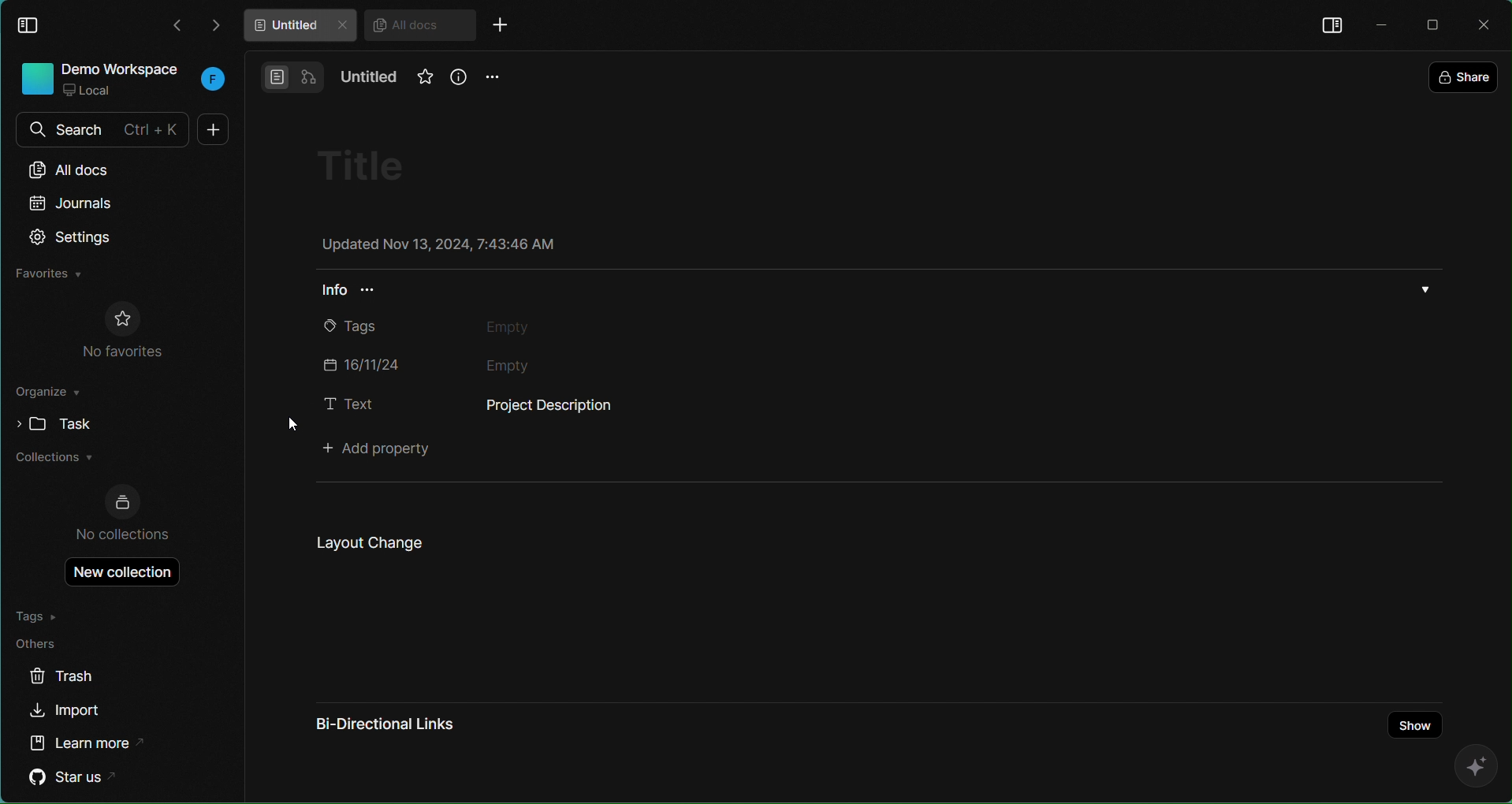  Describe the element at coordinates (43, 615) in the screenshot. I see `Tags »` at that location.